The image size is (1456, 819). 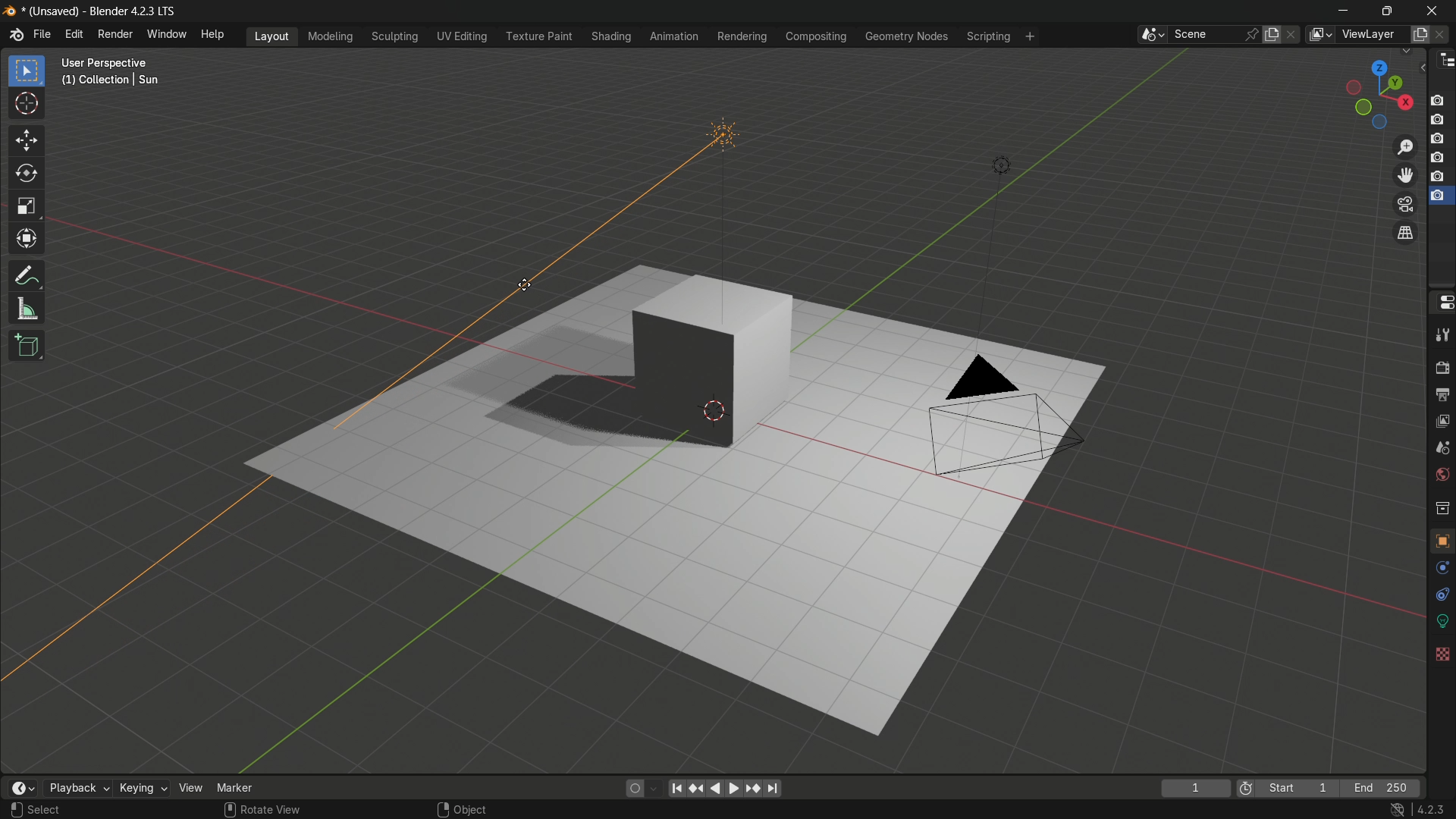 I want to click on toggle the camera view, so click(x=1406, y=205).